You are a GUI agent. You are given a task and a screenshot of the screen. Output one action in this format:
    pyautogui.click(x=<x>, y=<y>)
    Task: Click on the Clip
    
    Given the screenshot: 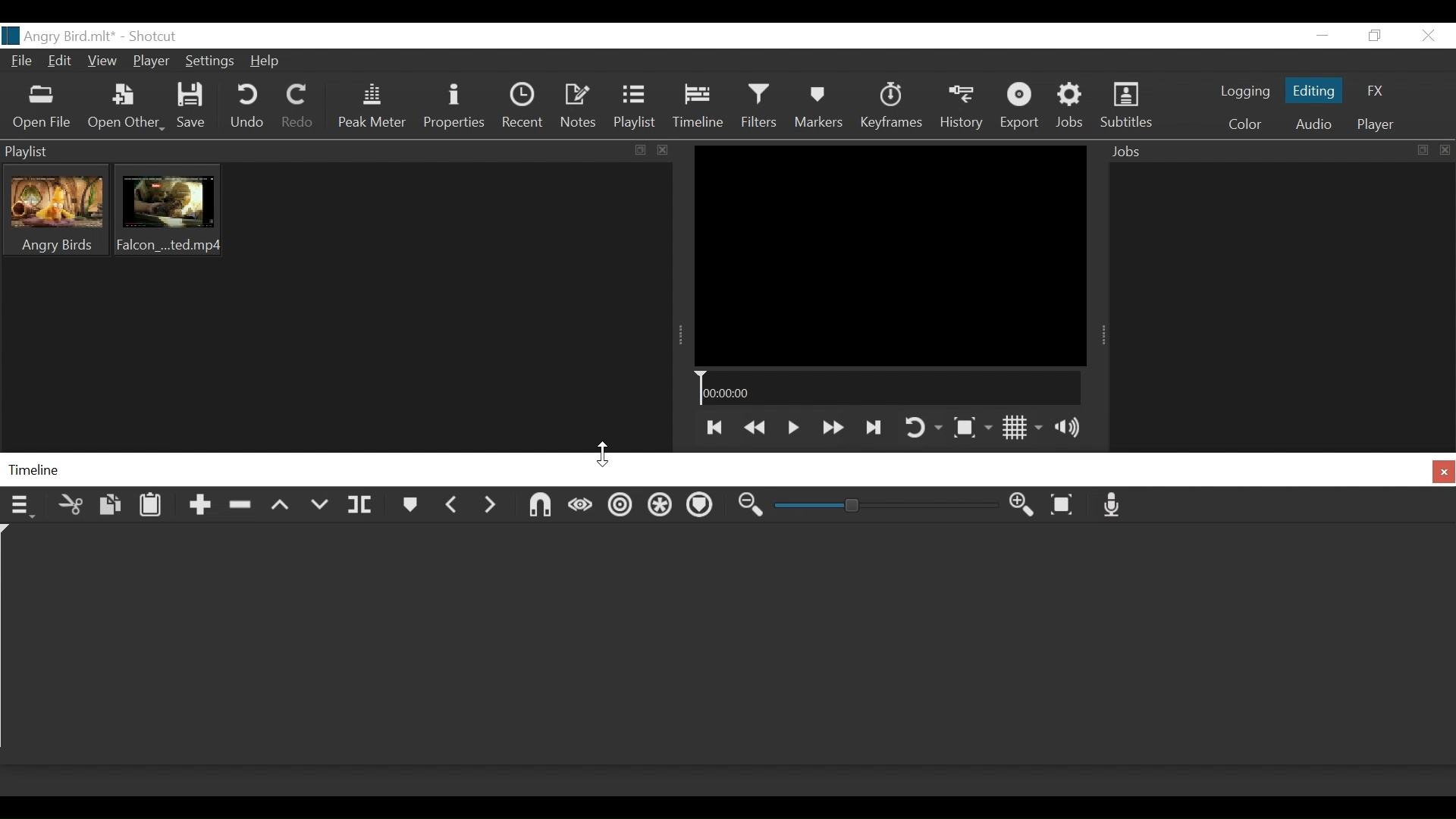 What is the action you would take?
    pyautogui.click(x=168, y=210)
    